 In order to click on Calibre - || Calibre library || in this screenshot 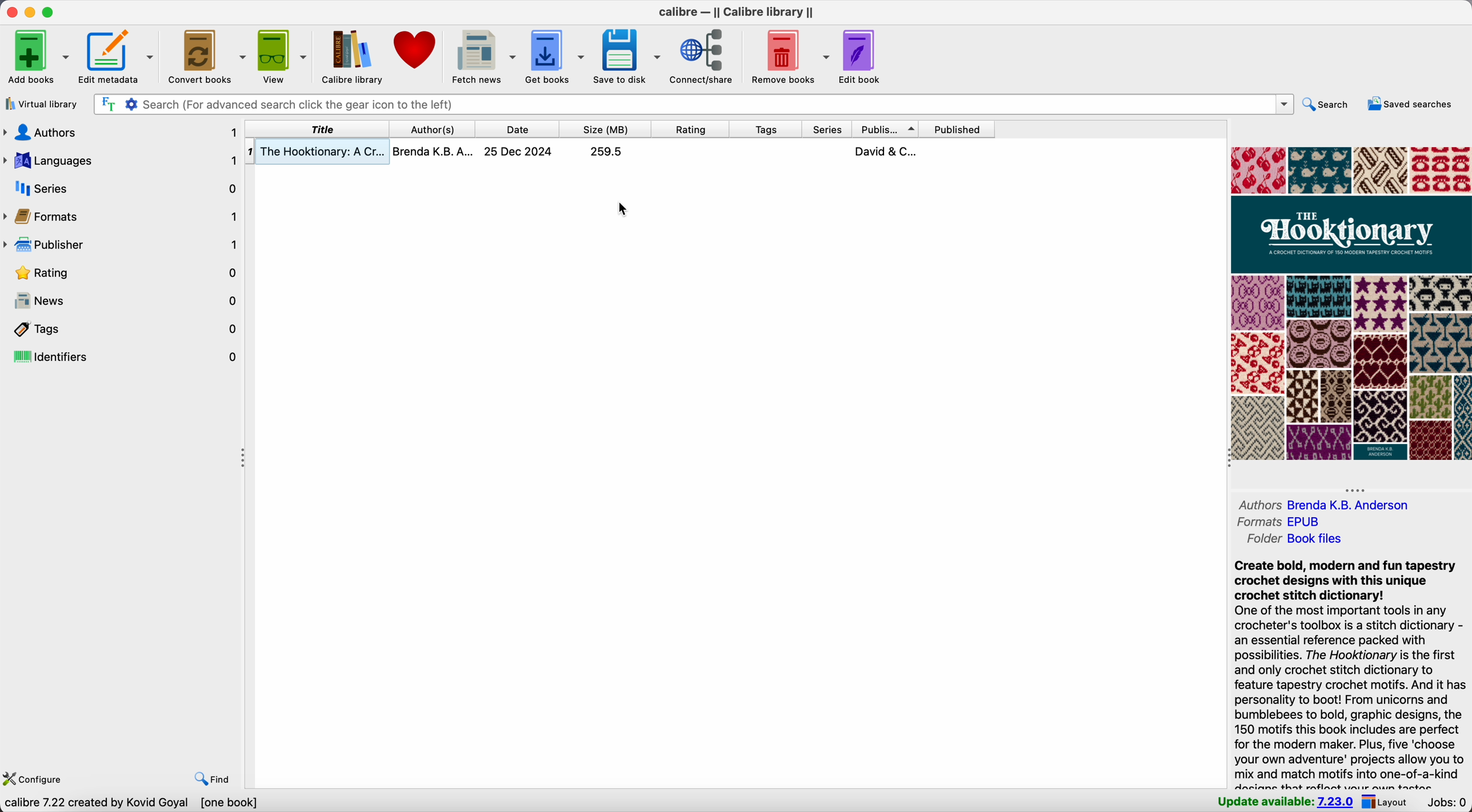, I will do `click(735, 13)`.